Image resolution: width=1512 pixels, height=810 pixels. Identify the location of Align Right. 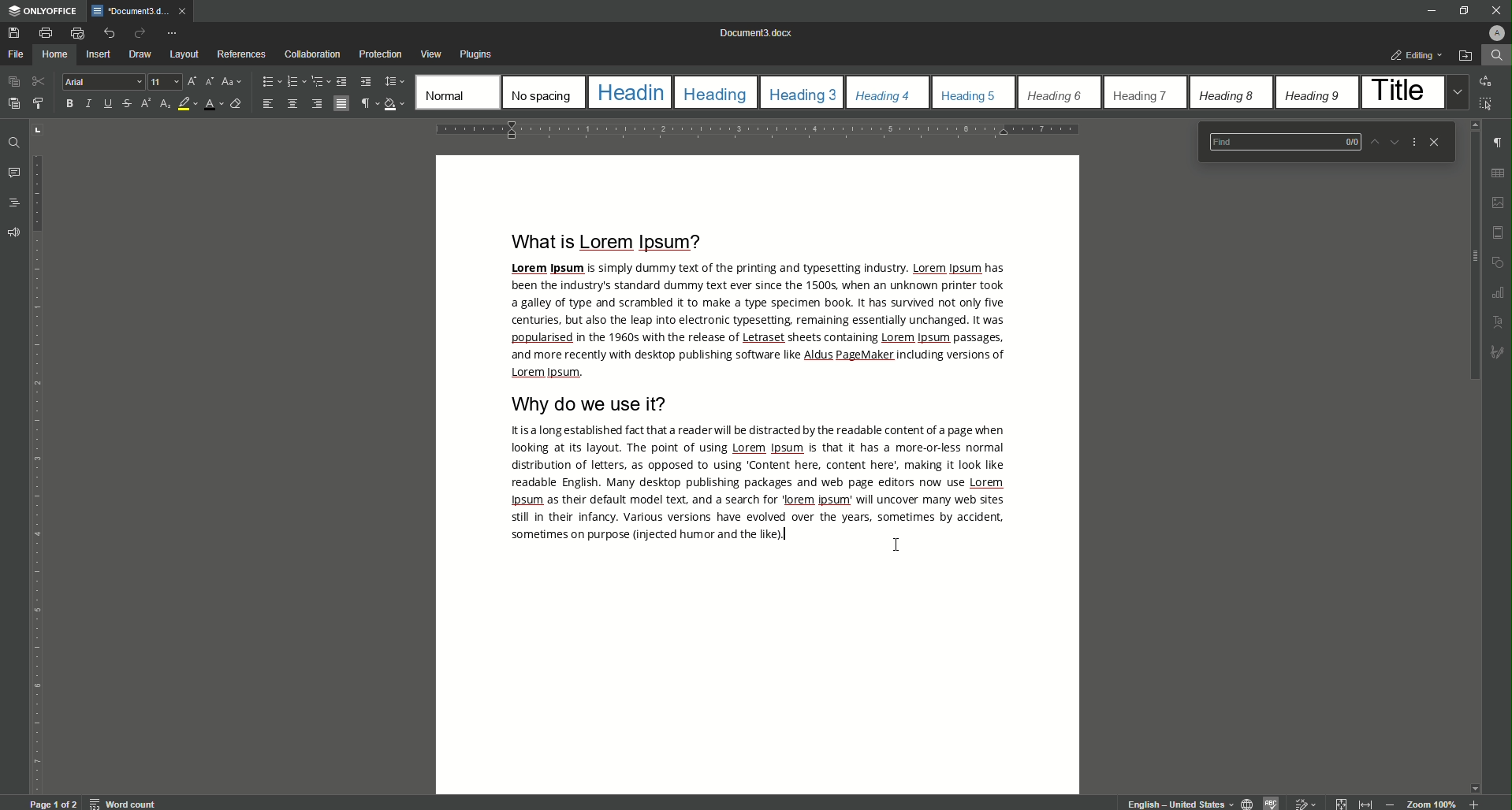
(316, 105).